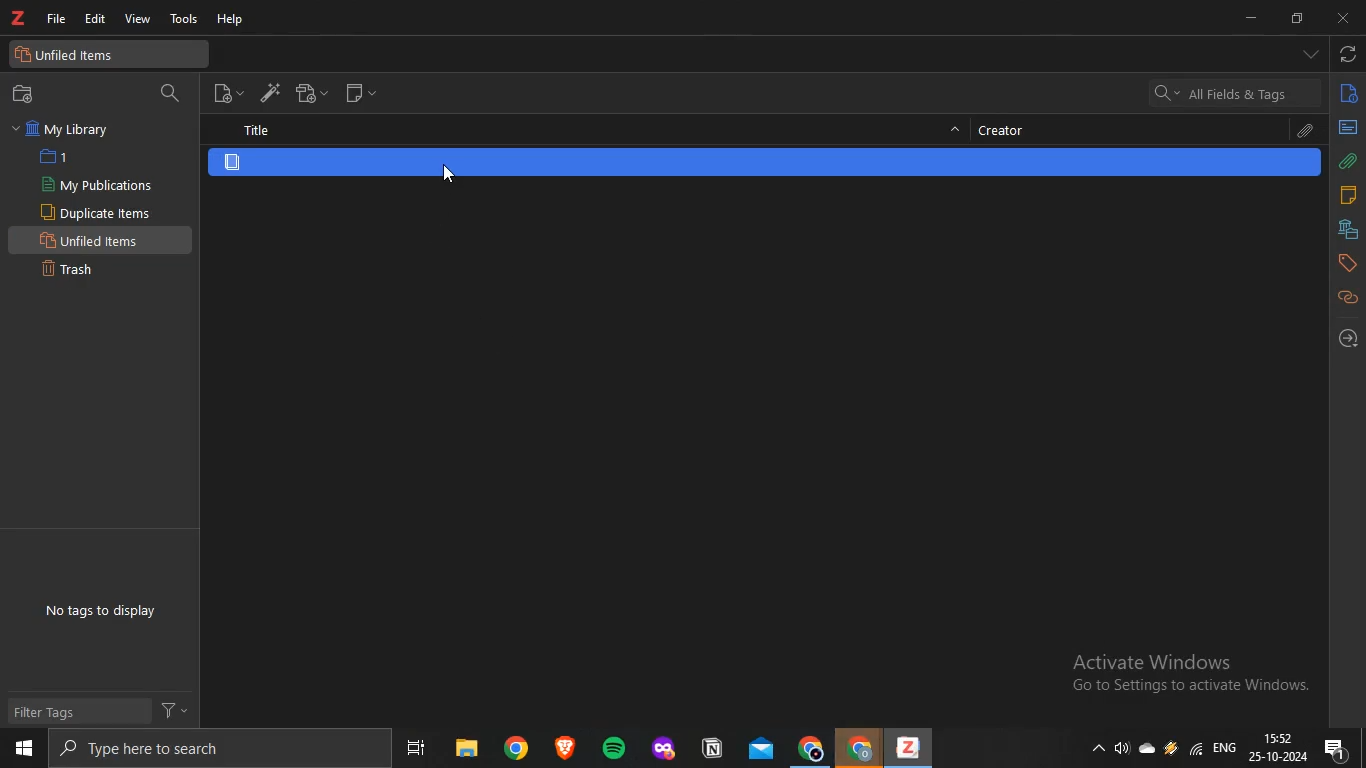  What do you see at coordinates (812, 747) in the screenshot?
I see `chrome` at bounding box center [812, 747].